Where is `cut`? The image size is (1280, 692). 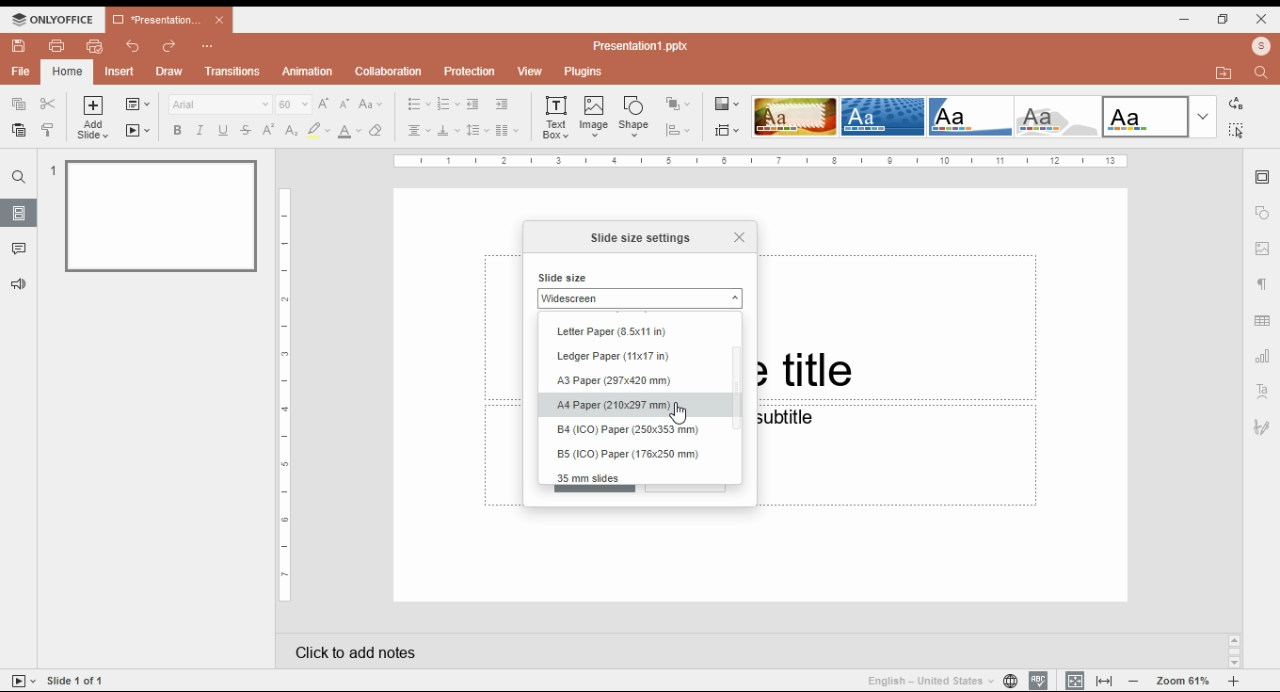 cut is located at coordinates (49, 103).